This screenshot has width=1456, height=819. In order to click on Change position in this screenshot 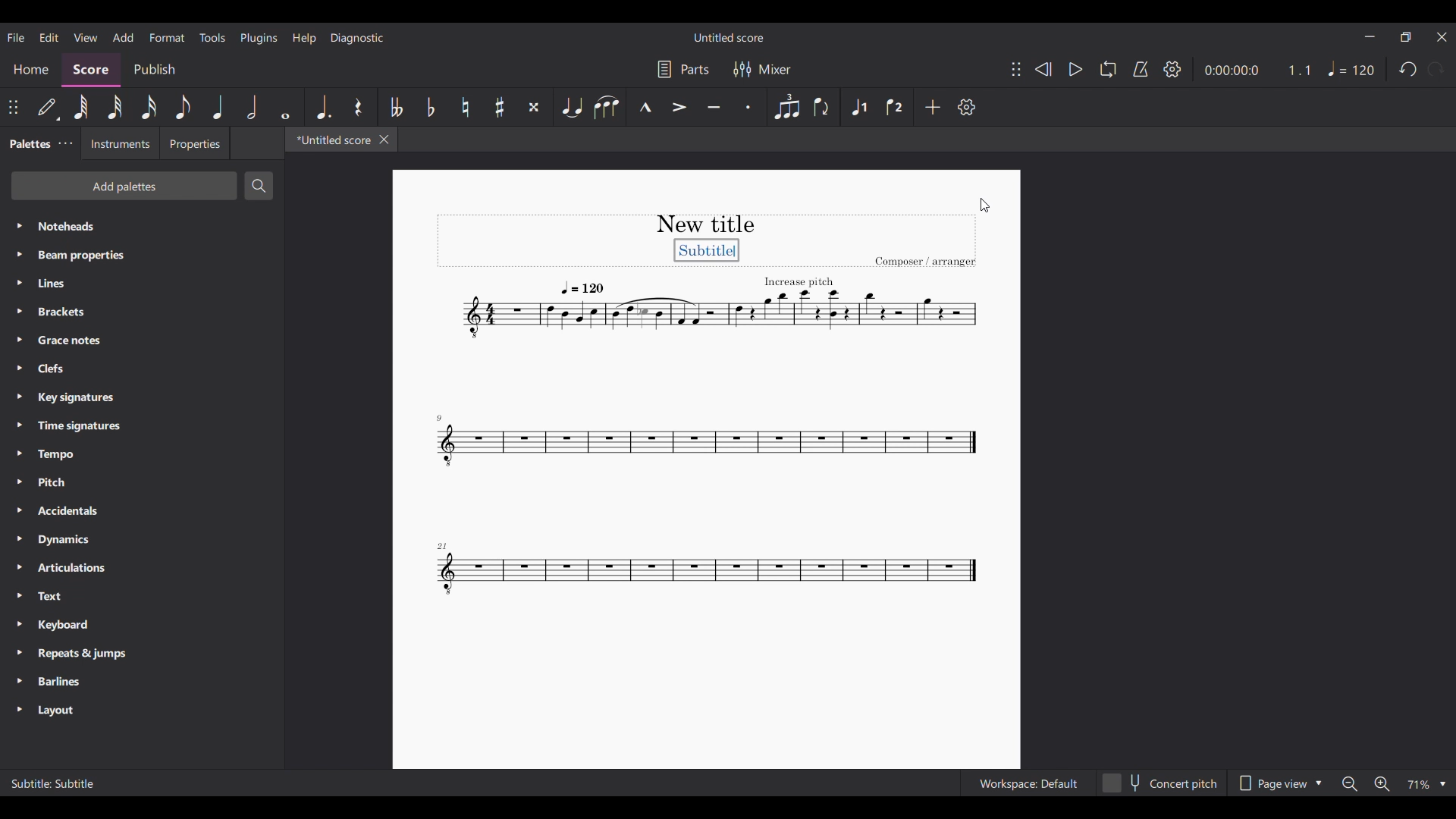, I will do `click(13, 107)`.